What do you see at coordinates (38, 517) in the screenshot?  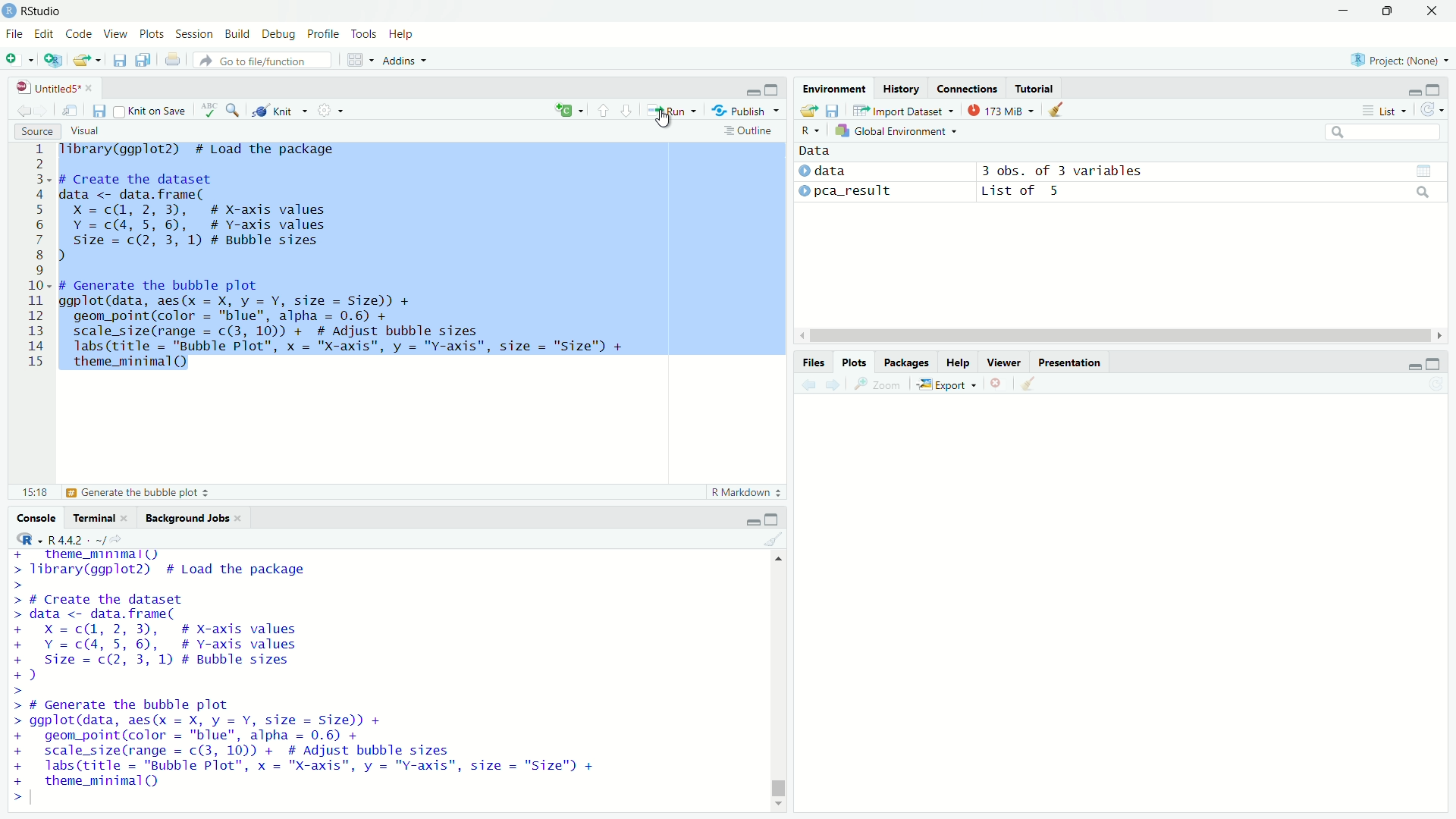 I see `Console` at bounding box center [38, 517].